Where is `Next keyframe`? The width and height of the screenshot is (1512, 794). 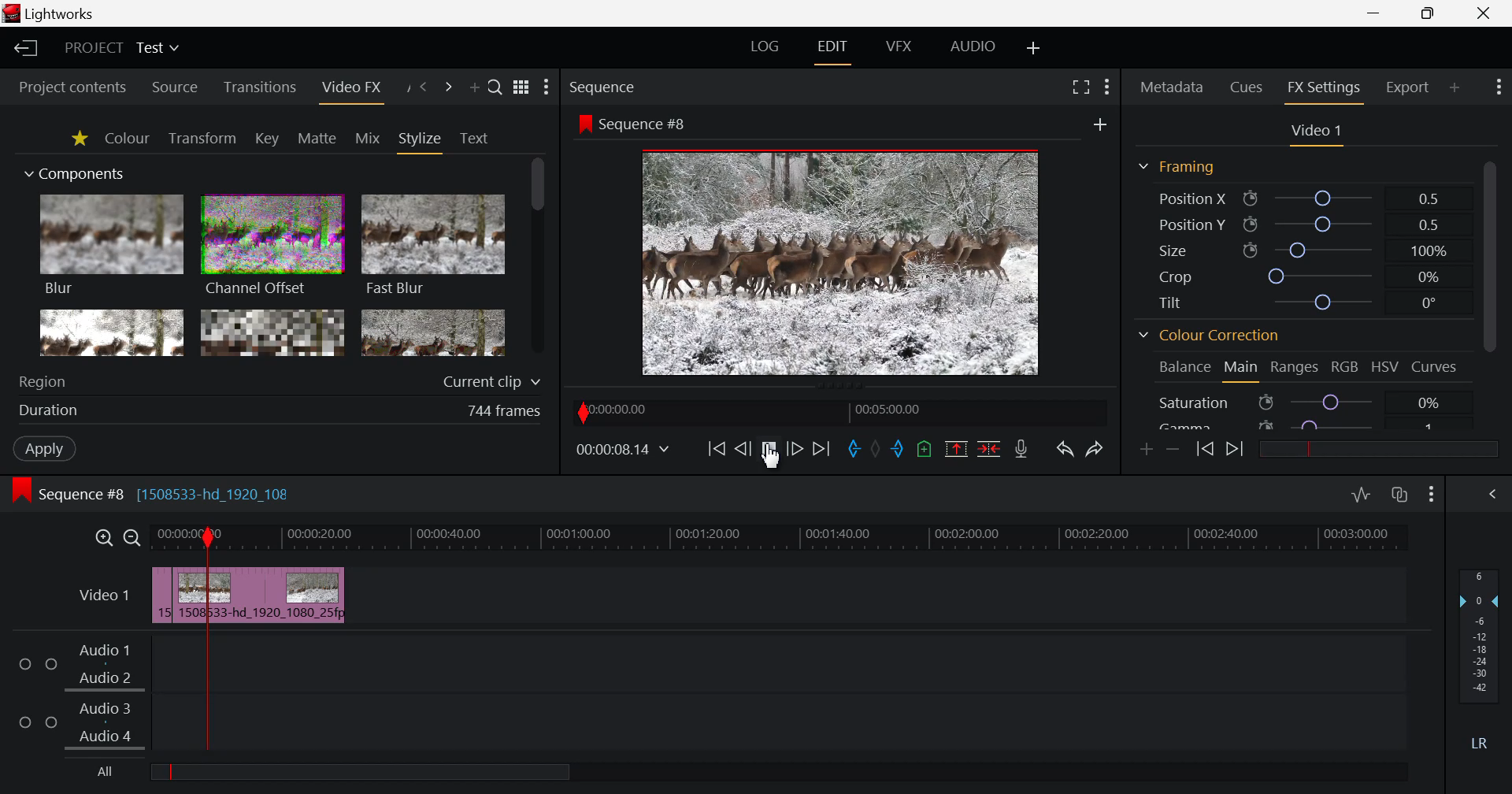 Next keyframe is located at coordinates (1236, 451).